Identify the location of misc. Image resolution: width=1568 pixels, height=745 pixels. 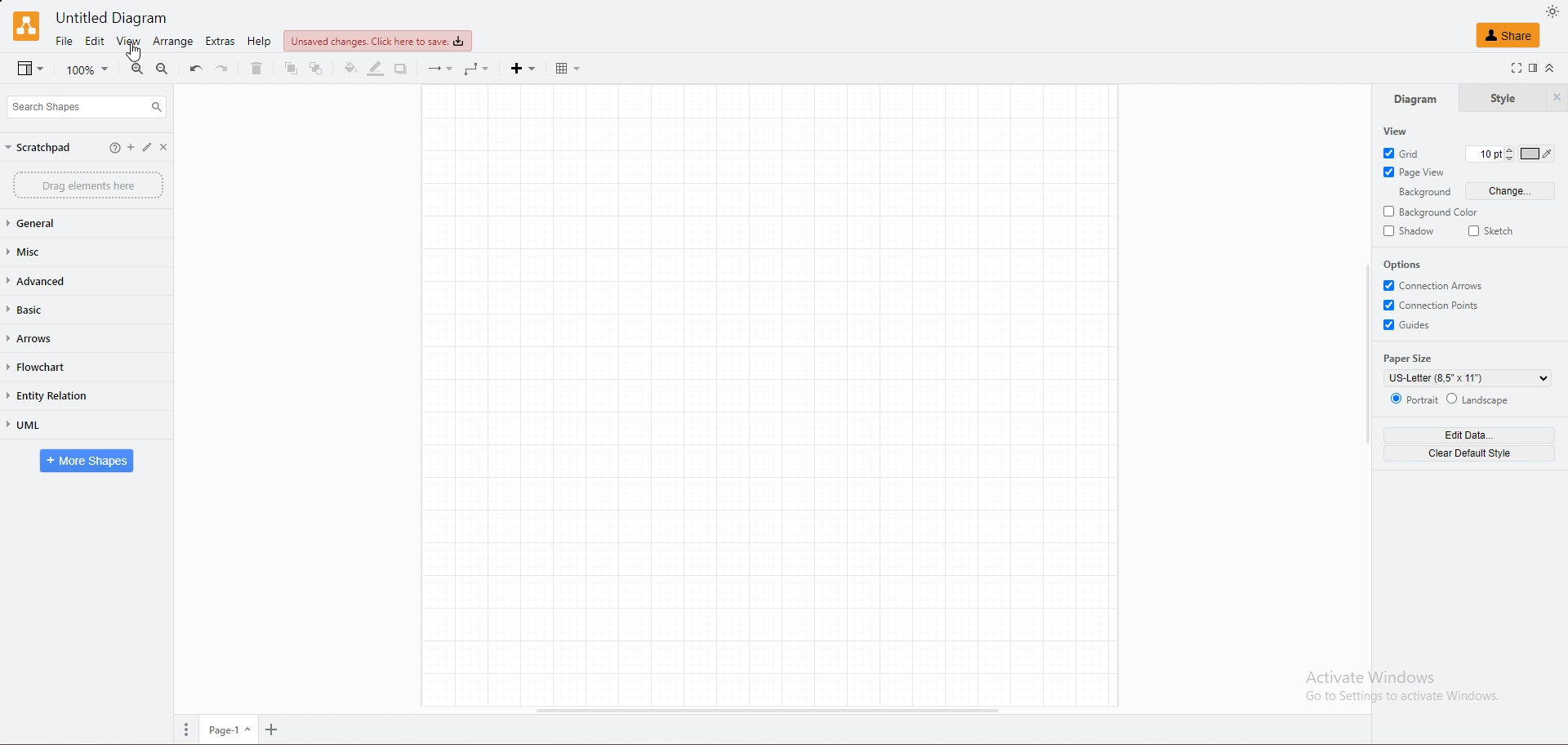
(53, 253).